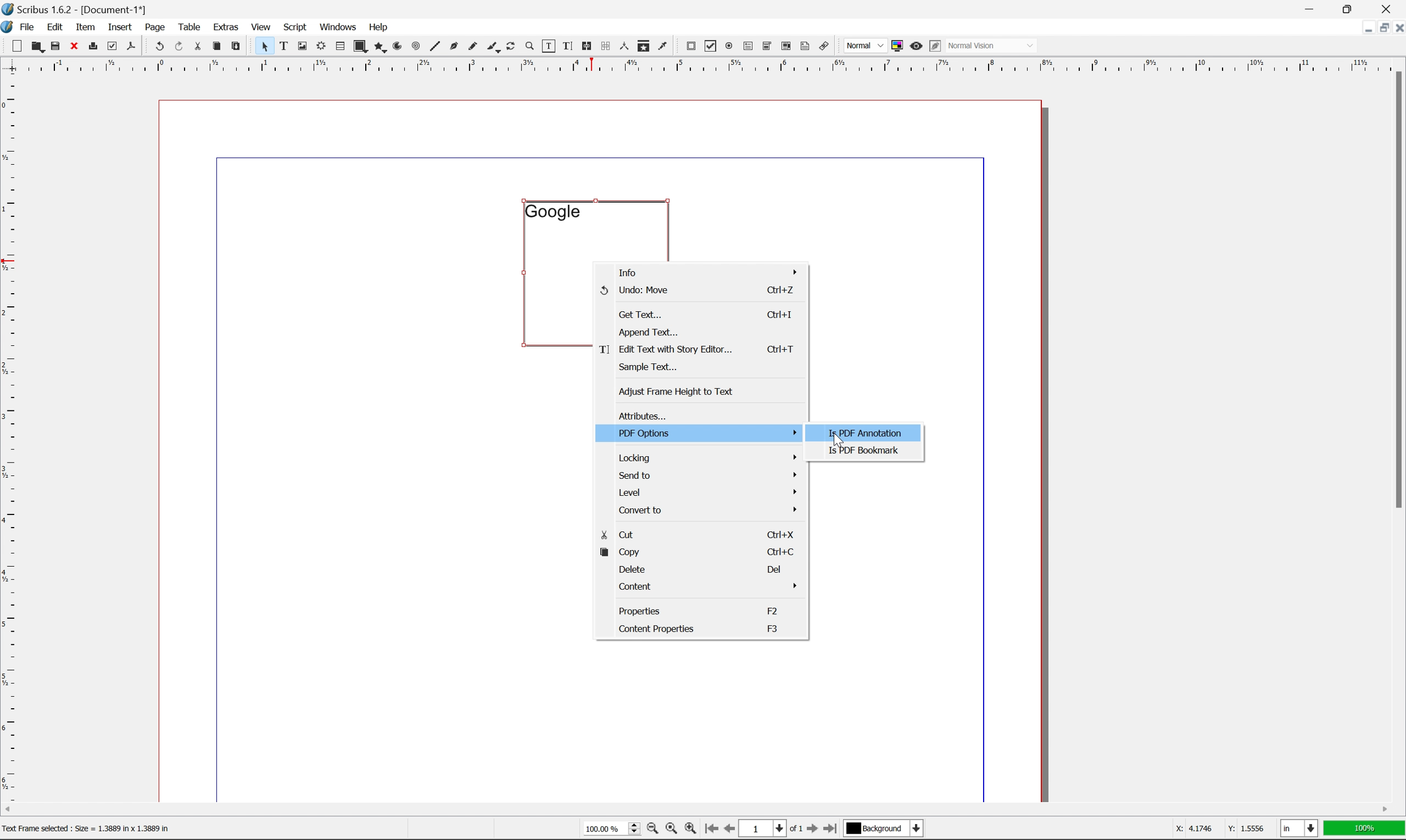 This screenshot has width=1406, height=840. Describe the element at coordinates (866, 450) in the screenshot. I see `is pdf bookmark` at that location.